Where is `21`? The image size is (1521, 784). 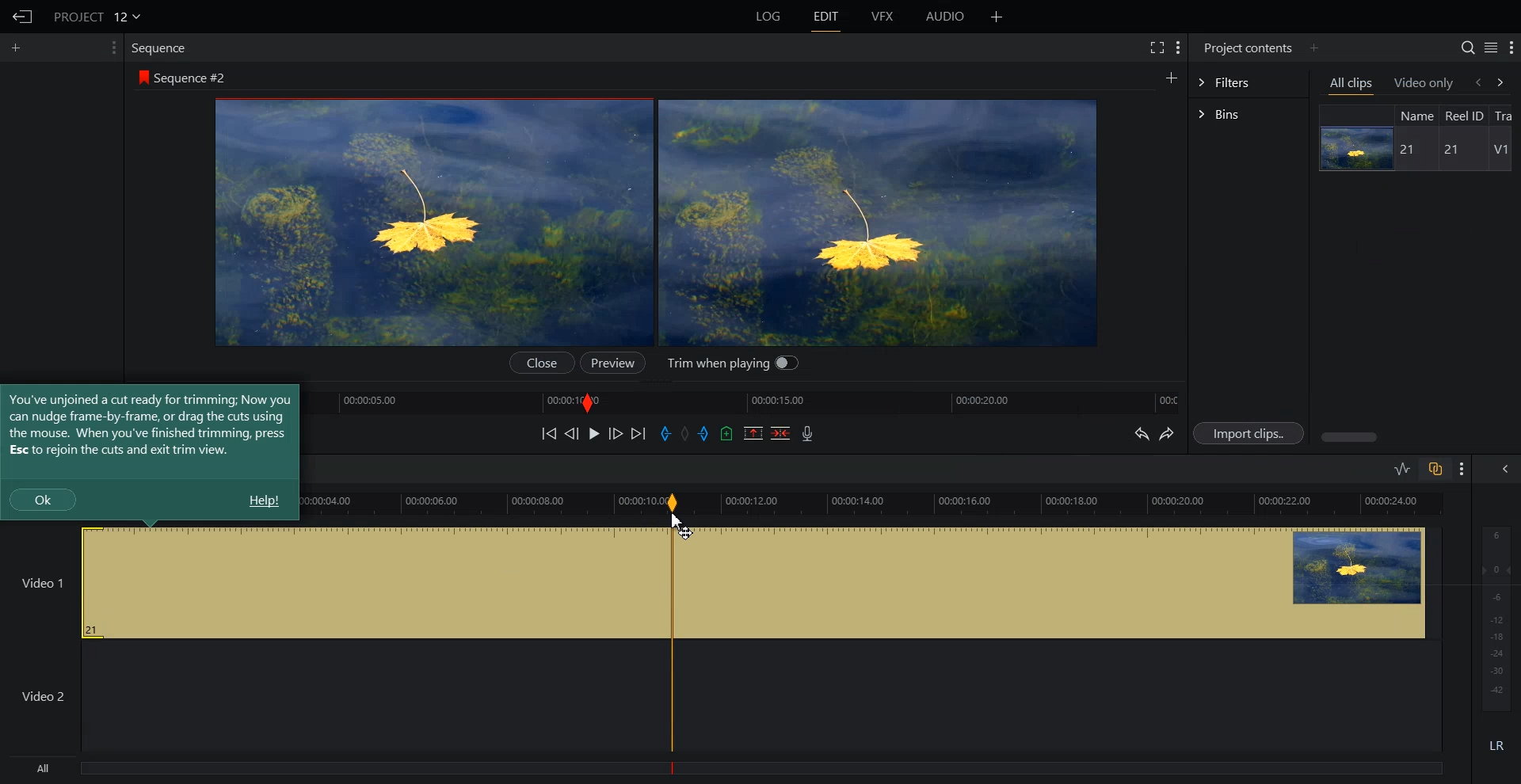 21 is located at coordinates (1448, 150).